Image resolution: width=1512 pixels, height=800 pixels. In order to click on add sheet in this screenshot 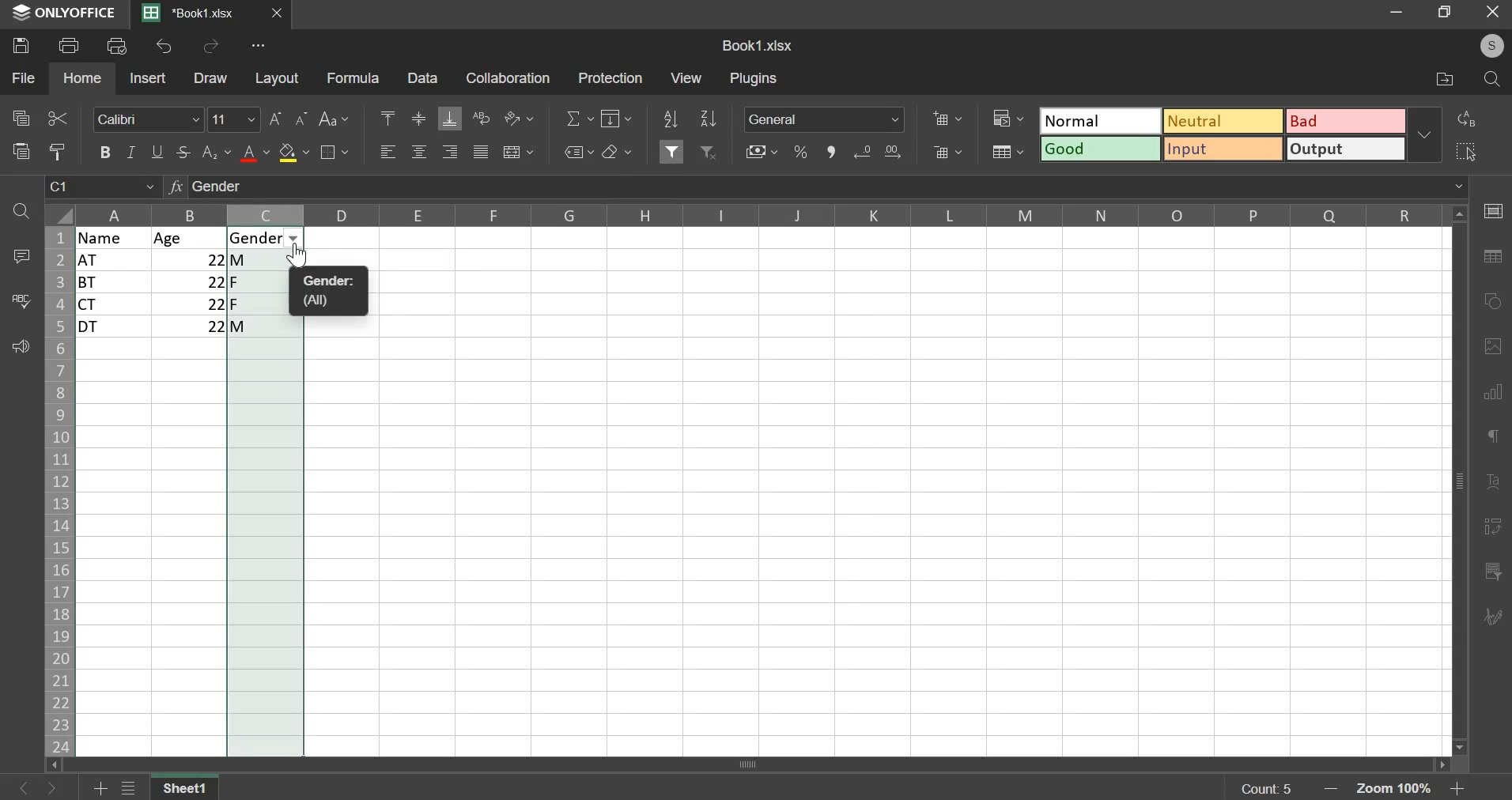, I will do `click(102, 786)`.